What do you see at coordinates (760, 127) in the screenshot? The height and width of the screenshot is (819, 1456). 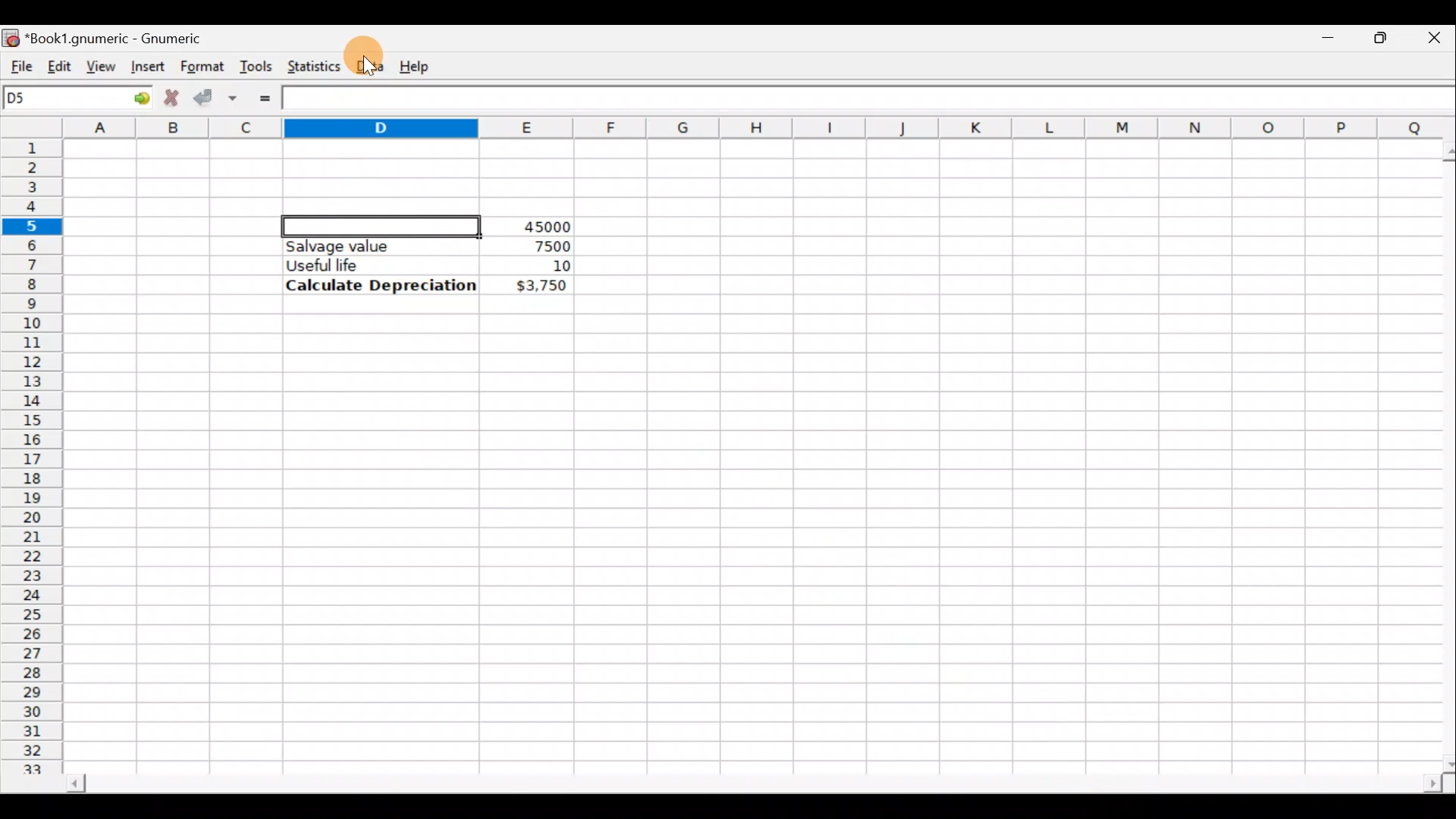 I see `Columns` at bounding box center [760, 127].